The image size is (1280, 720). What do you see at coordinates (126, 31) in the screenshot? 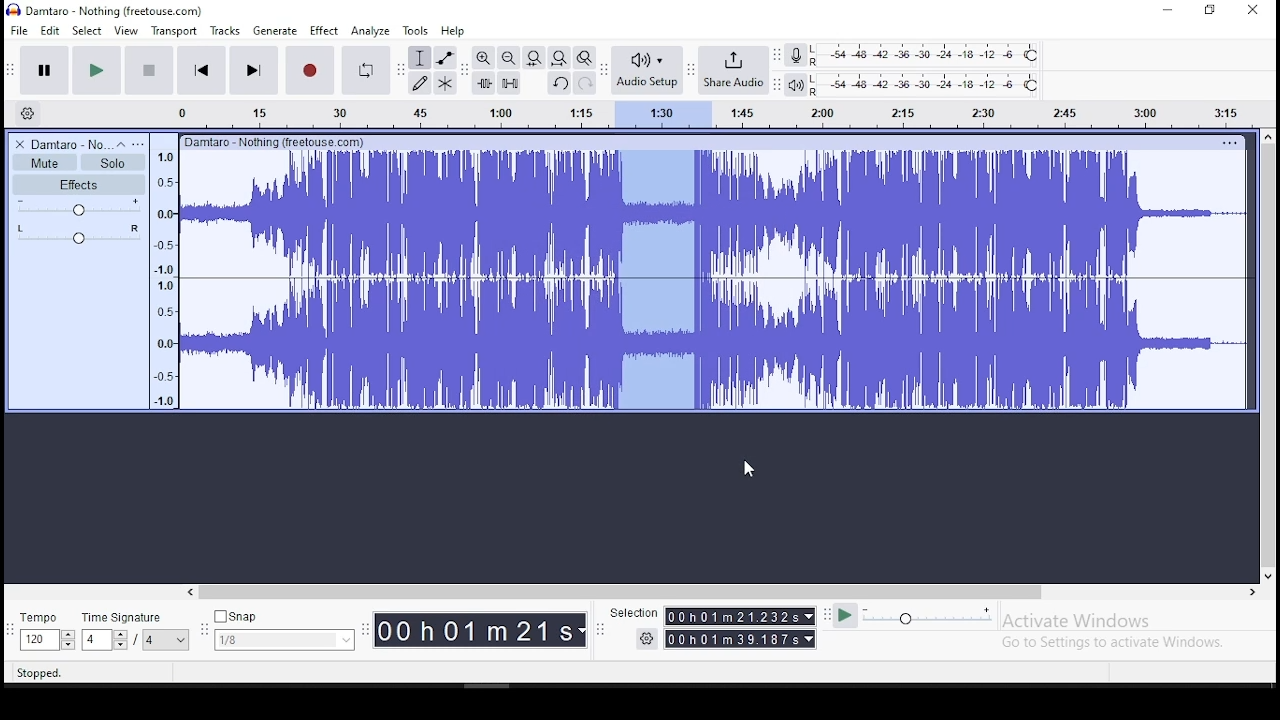
I see `view` at bounding box center [126, 31].